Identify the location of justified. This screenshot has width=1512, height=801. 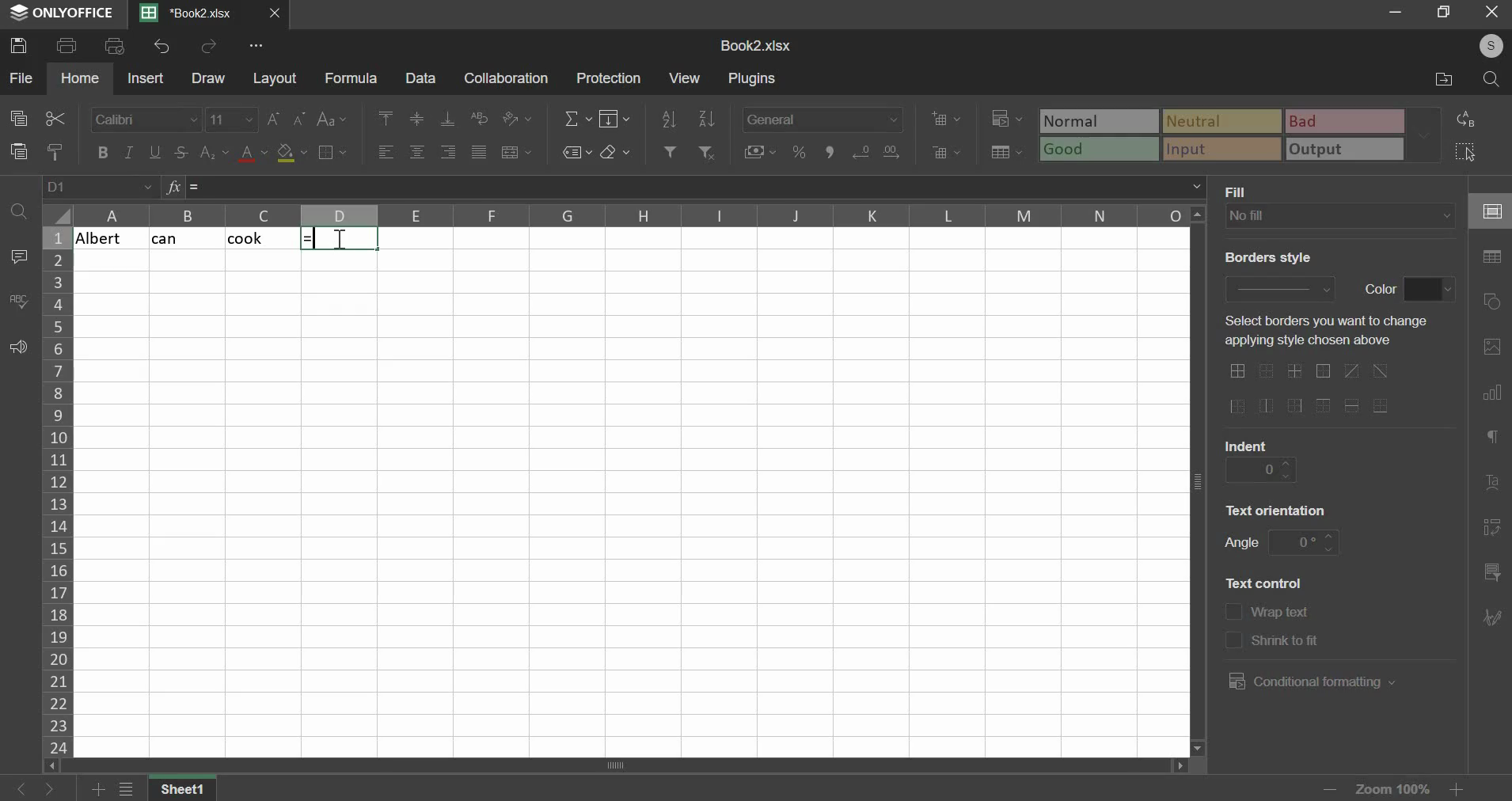
(478, 151).